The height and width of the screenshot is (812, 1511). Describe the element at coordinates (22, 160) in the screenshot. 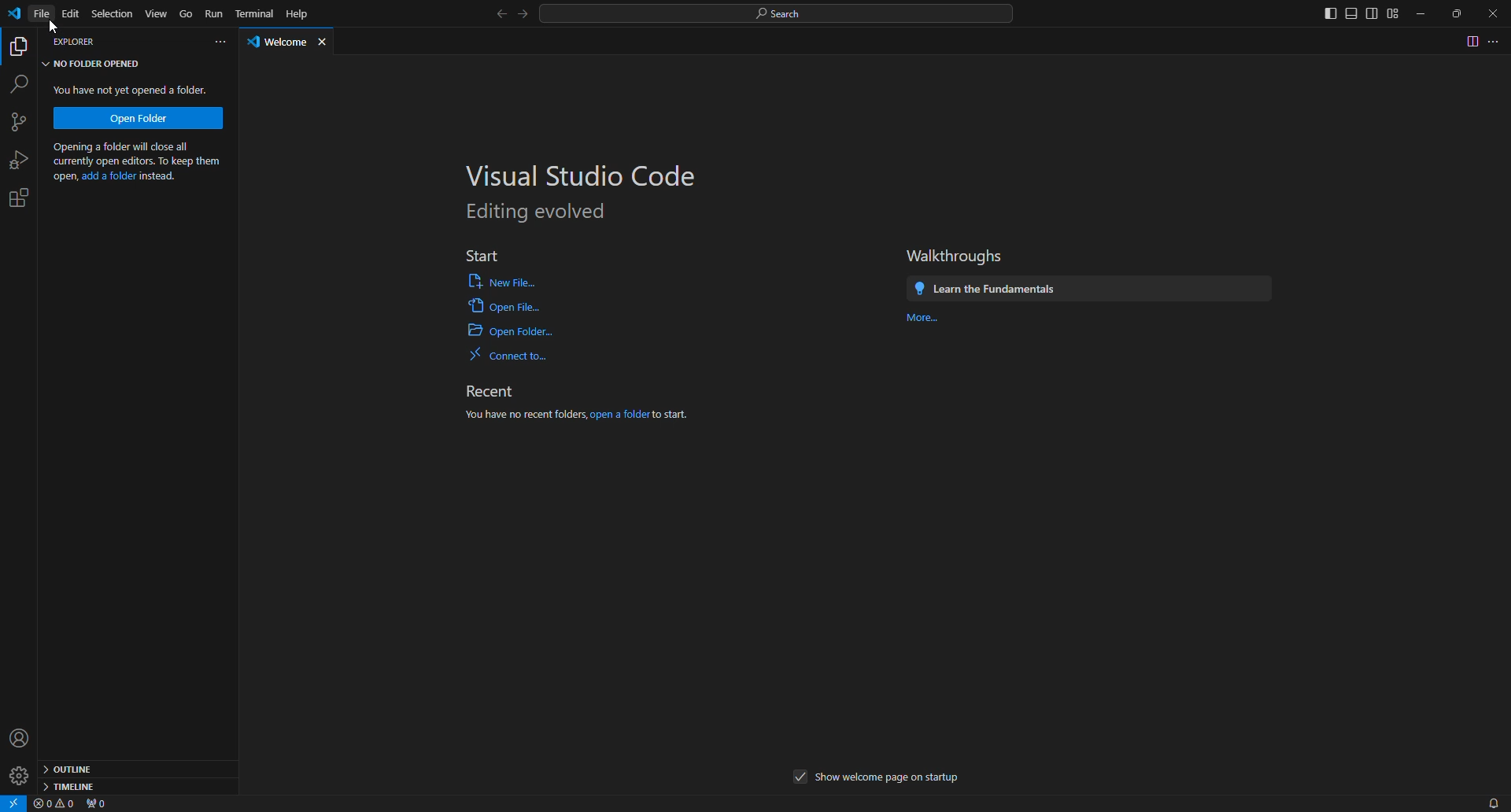

I see `run and debug` at that location.